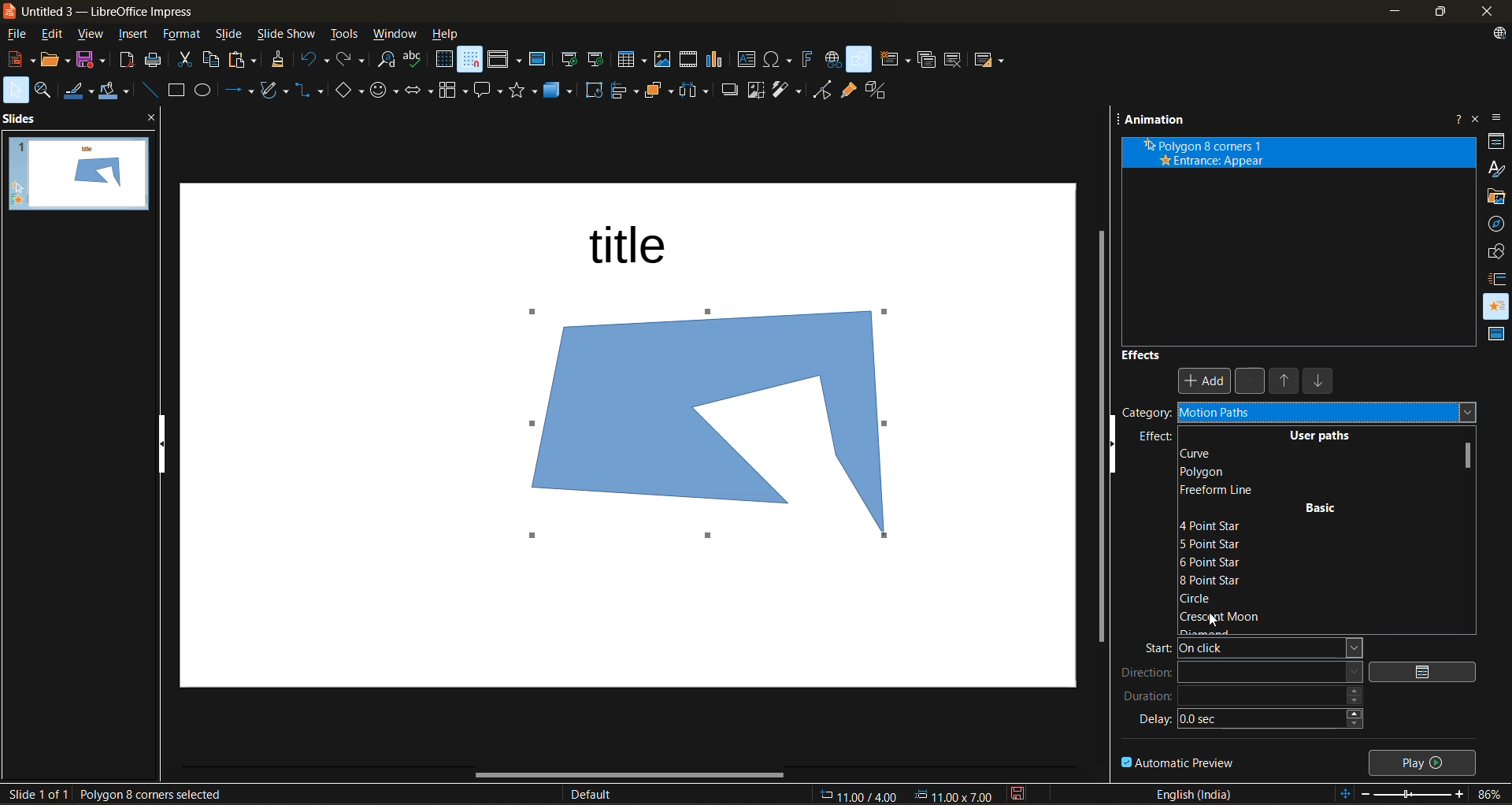  What do you see at coordinates (236, 91) in the screenshot?
I see `lines and arrows` at bounding box center [236, 91].